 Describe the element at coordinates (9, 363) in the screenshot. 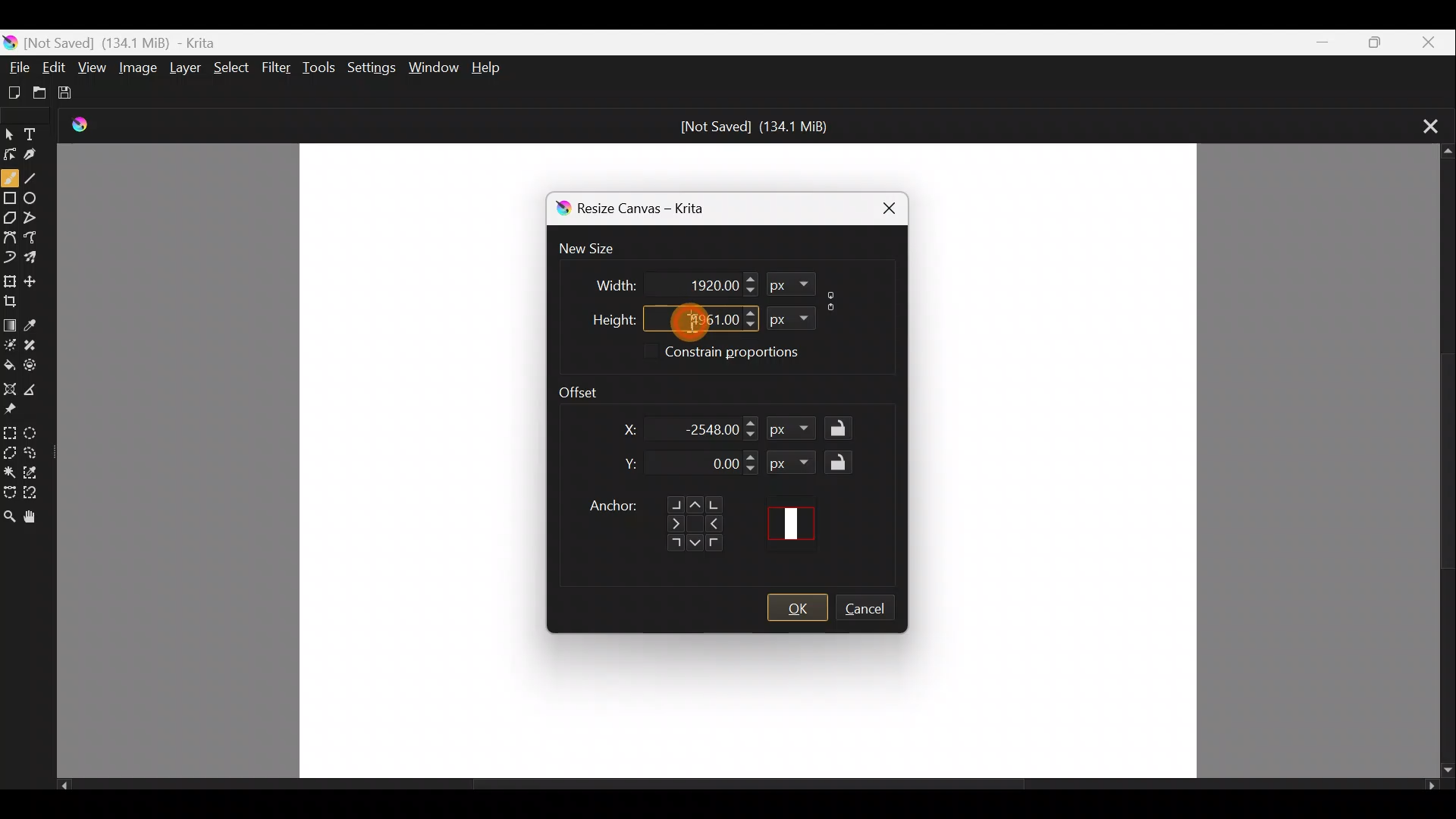

I see `Fill a contiguous area of colour with colour/fill a selection` at that location.